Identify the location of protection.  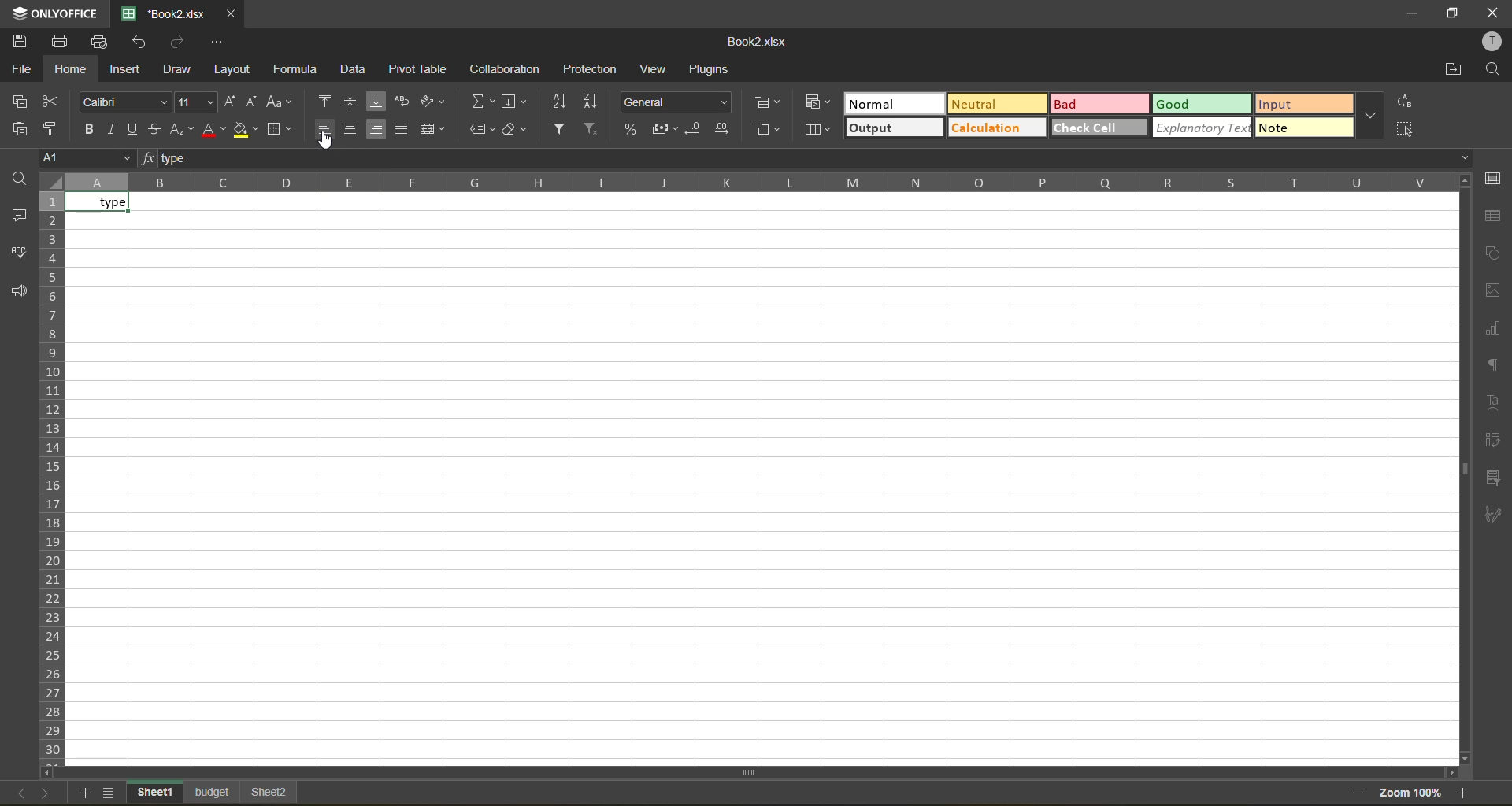
(594, 67).